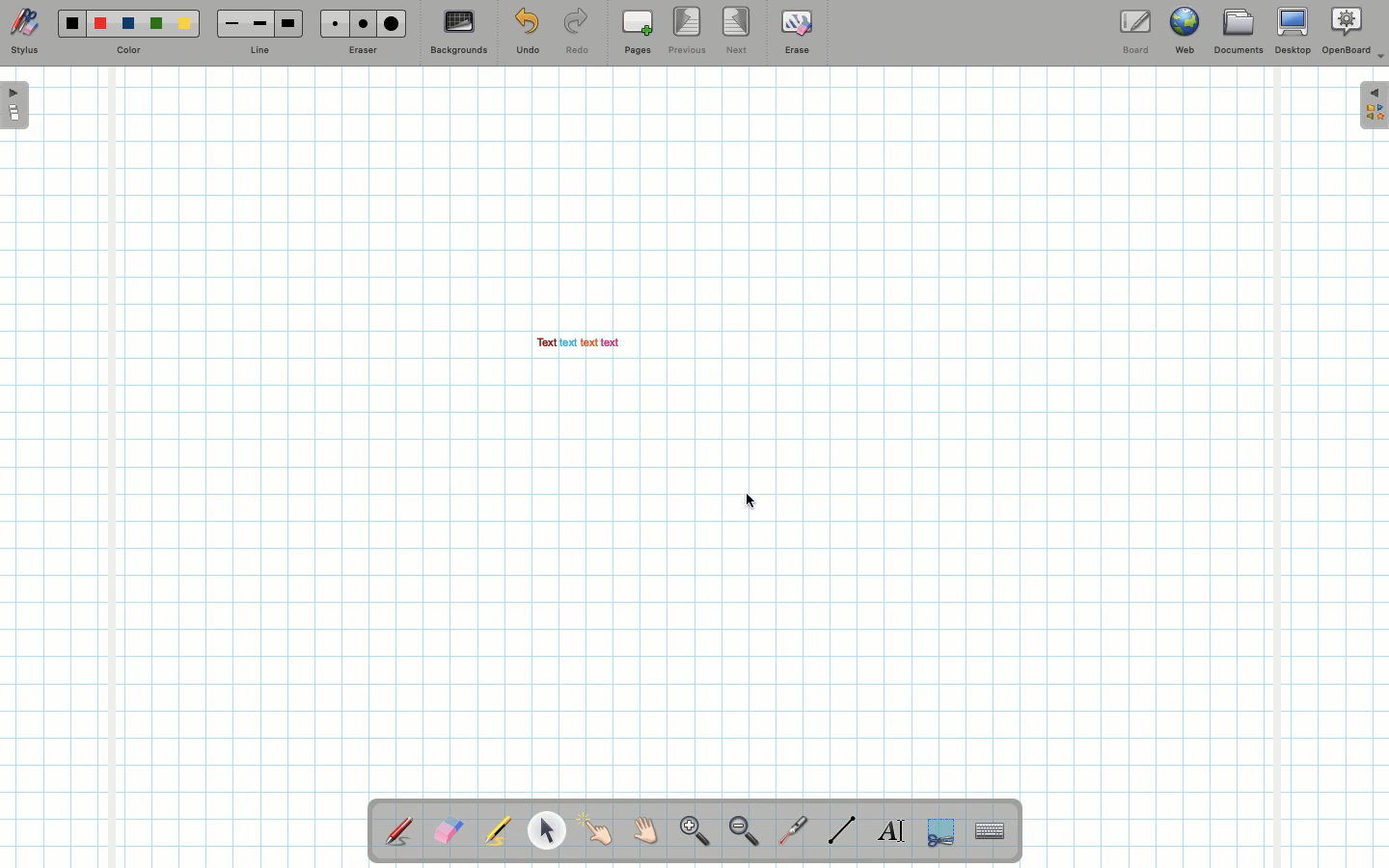 The image size is (1389, 868). What do you see at coordinates (24, 32) in the screenshot?
I see `Stylus` at bounding box center [24, 32].